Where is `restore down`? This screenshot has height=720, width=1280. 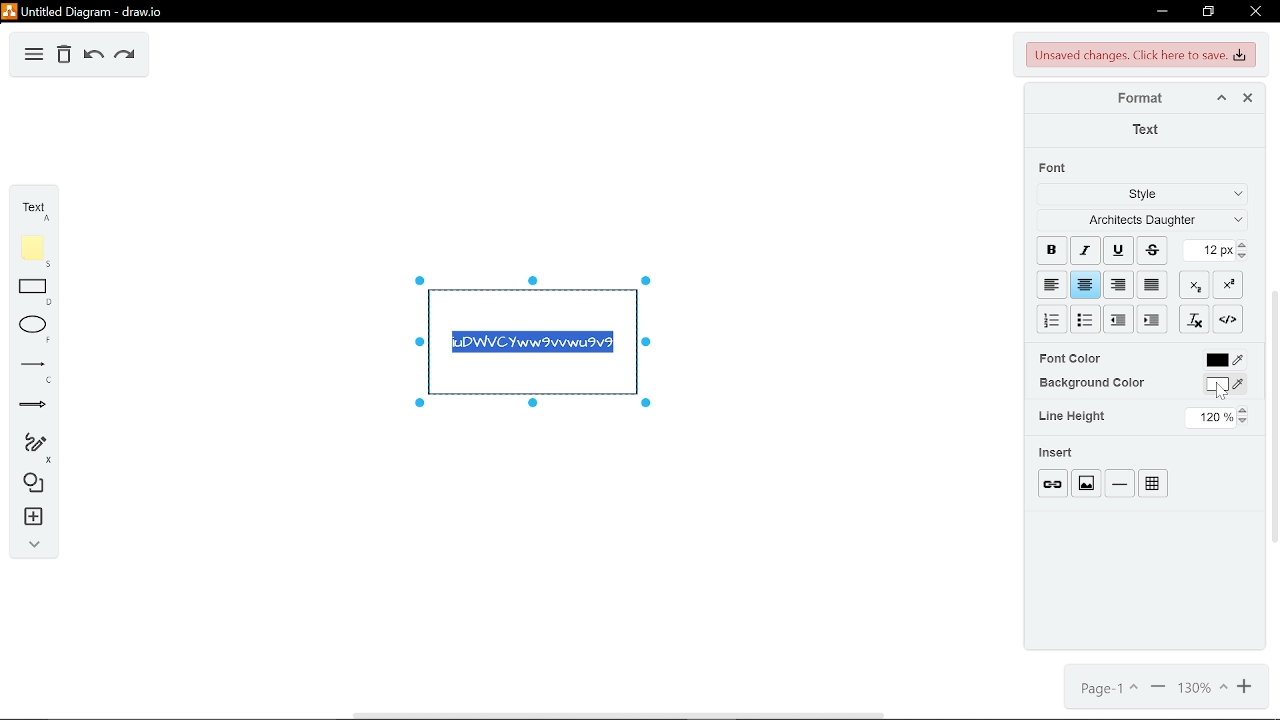
restore down is located at coordinates (1208, 13).